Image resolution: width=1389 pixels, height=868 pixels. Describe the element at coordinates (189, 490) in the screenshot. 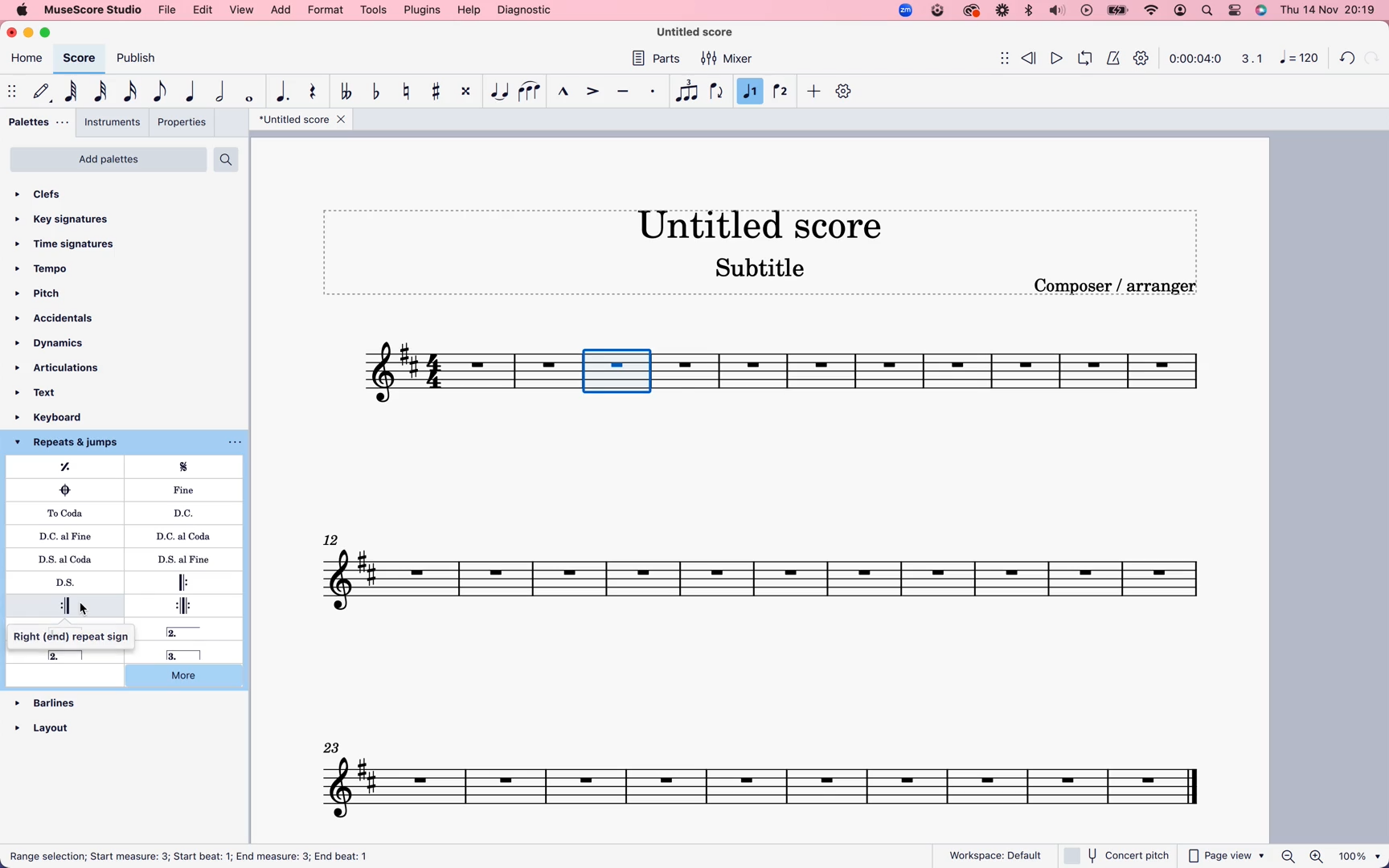

I see `fine` at that location.